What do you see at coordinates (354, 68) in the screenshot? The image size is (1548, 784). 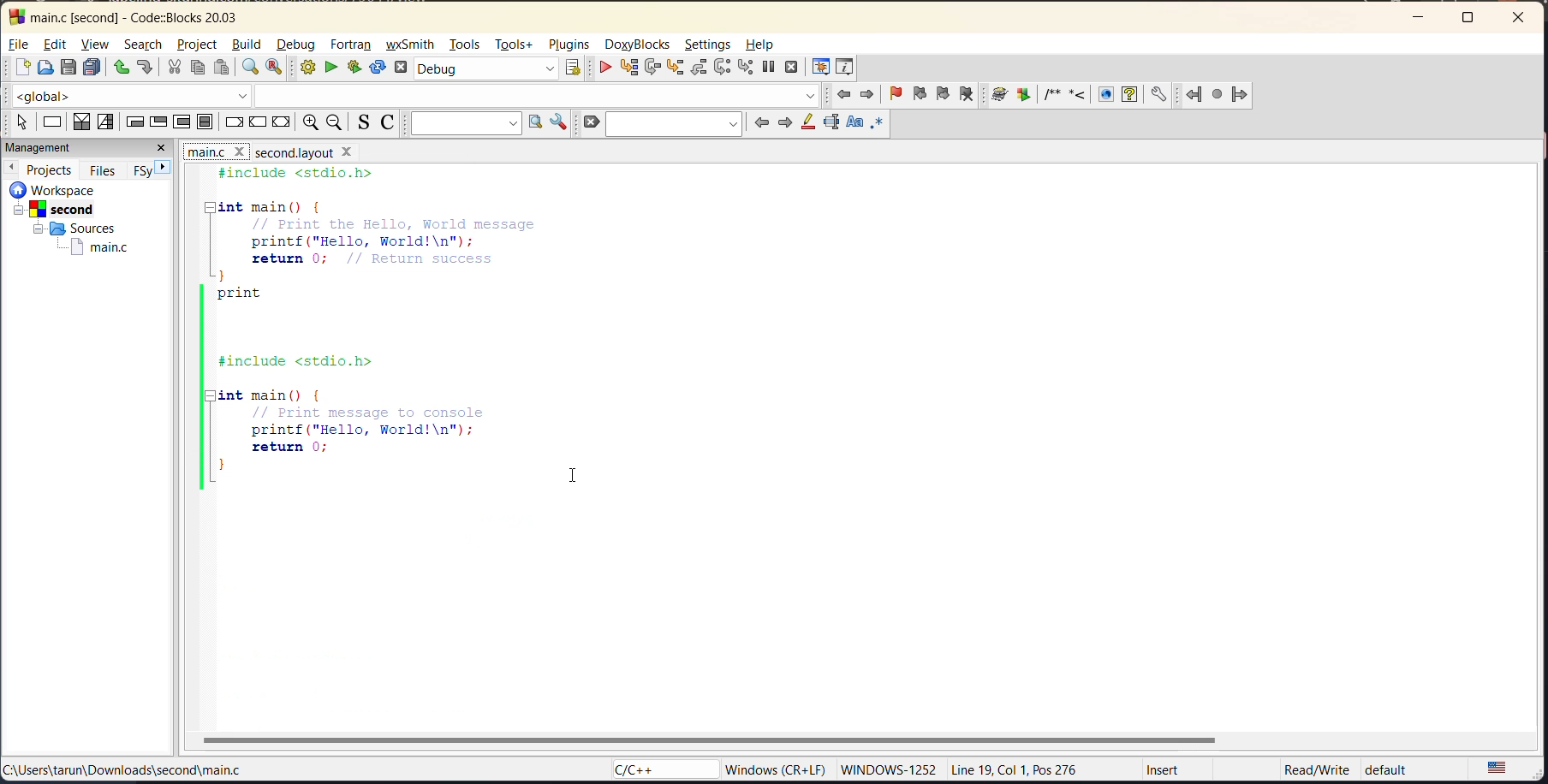 I see `build and run` at bounding box center [354, 68].